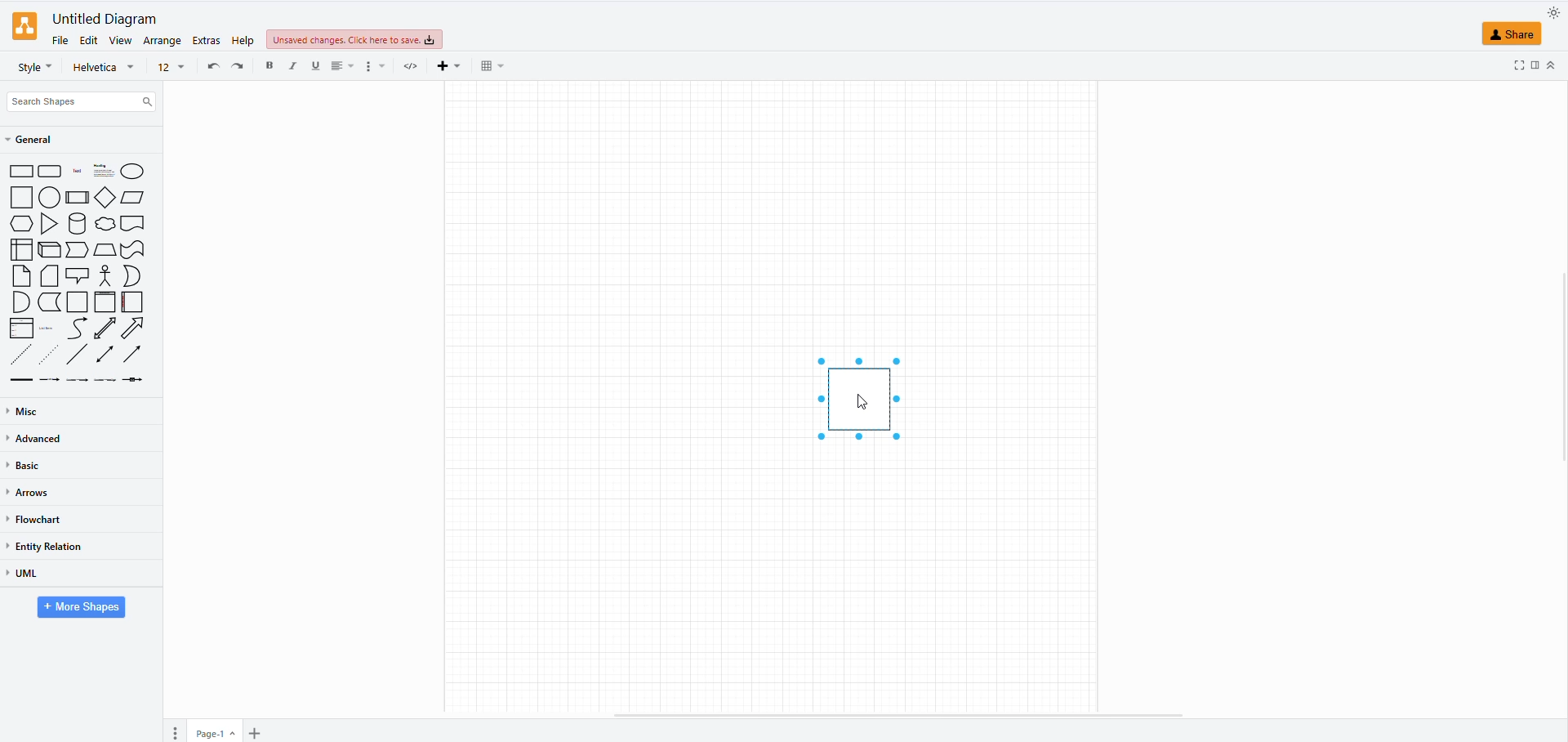  Describe the element at coordinates (21, 172) in the screenshot. I see `rectangle` at that location.